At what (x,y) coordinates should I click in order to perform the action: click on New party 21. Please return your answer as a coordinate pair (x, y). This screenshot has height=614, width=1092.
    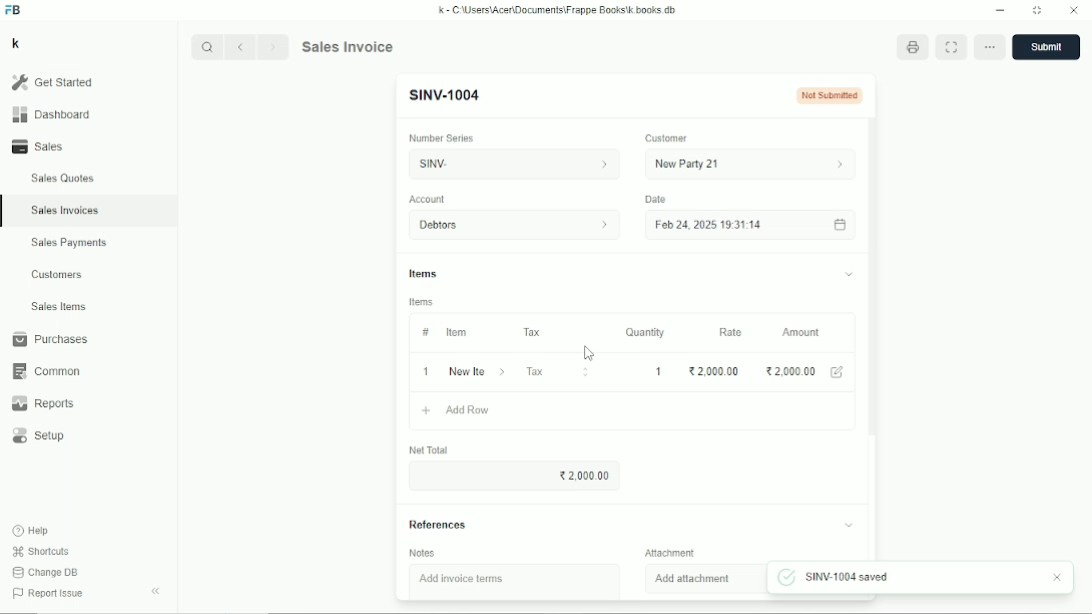
    Looking at the image, I should click on (752, 164).